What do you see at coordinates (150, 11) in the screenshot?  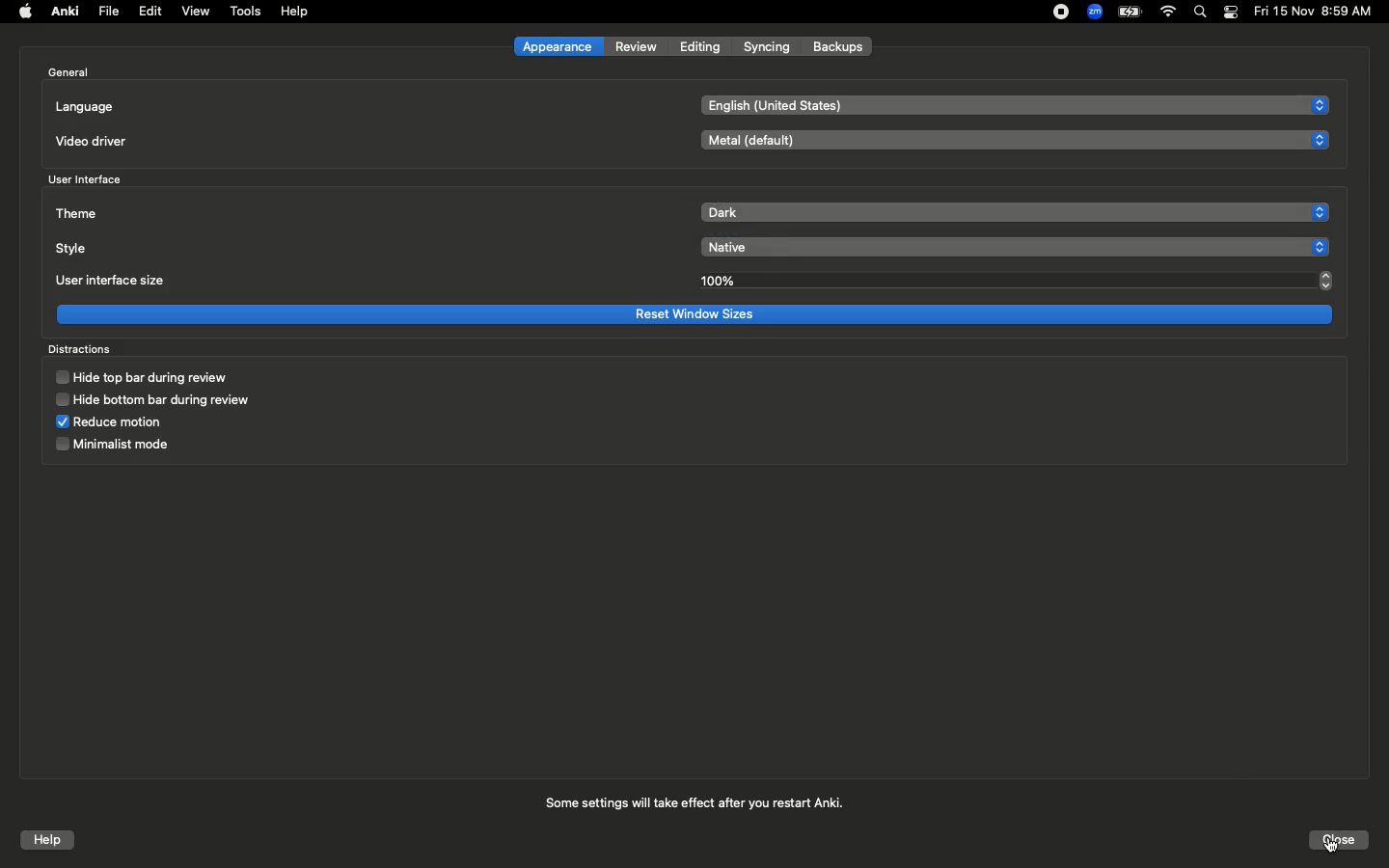 I see `Edit` at bounding box center [150, 11].